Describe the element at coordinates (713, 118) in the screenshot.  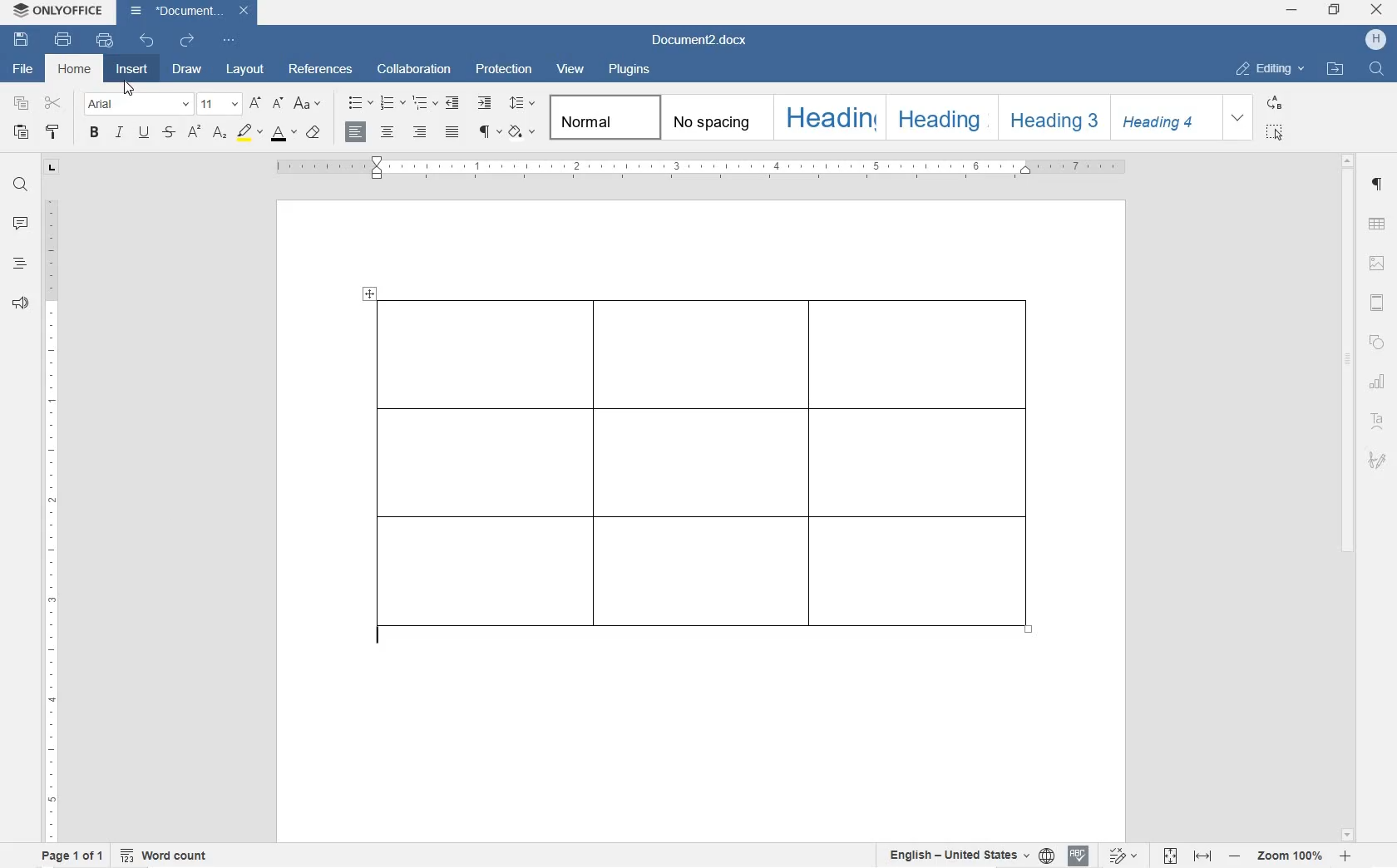
I see `no spacing` at that location.